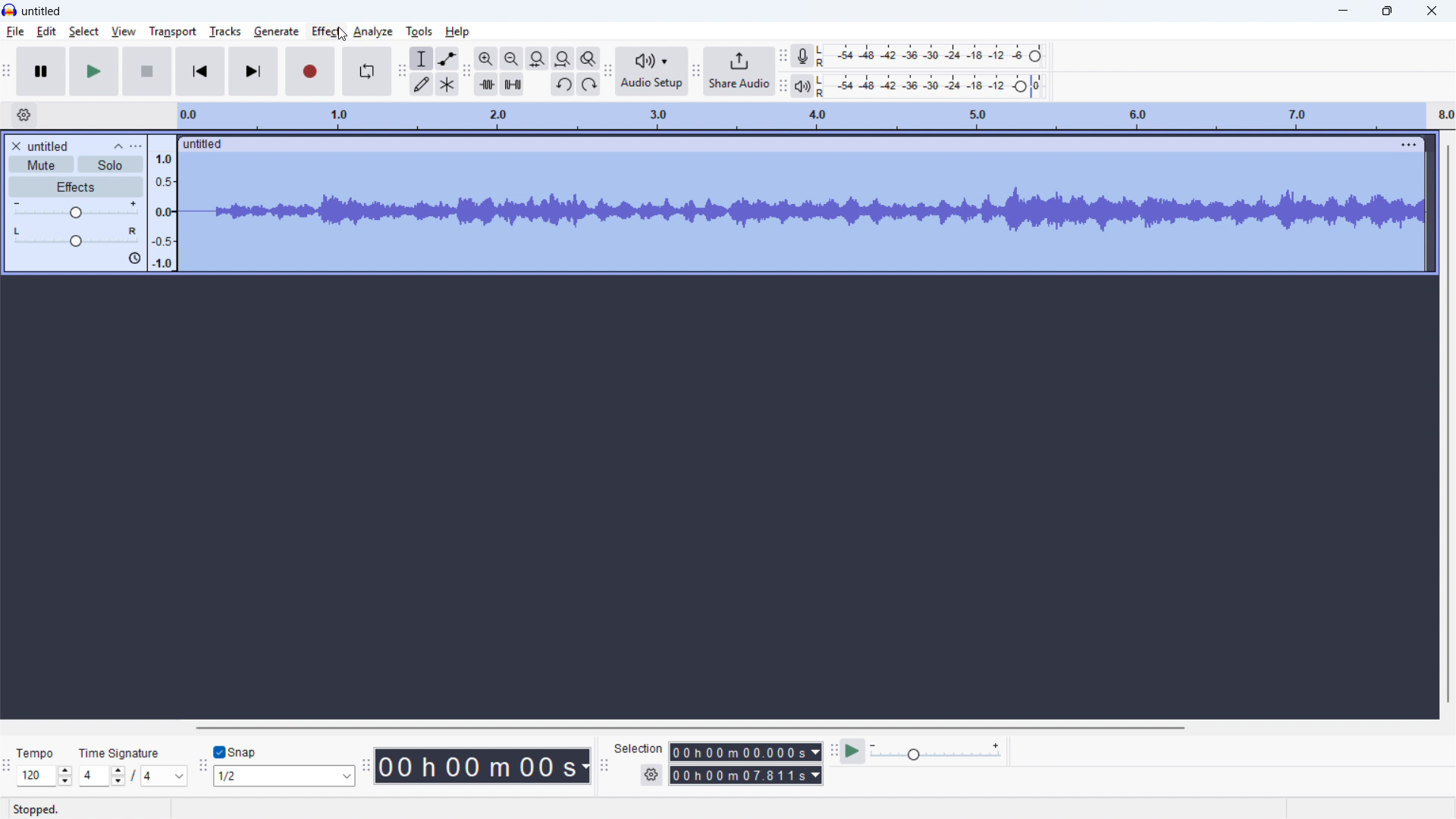  Describe the element at coordinates (419, 30) in the screenshot. I see `tools` at that location.